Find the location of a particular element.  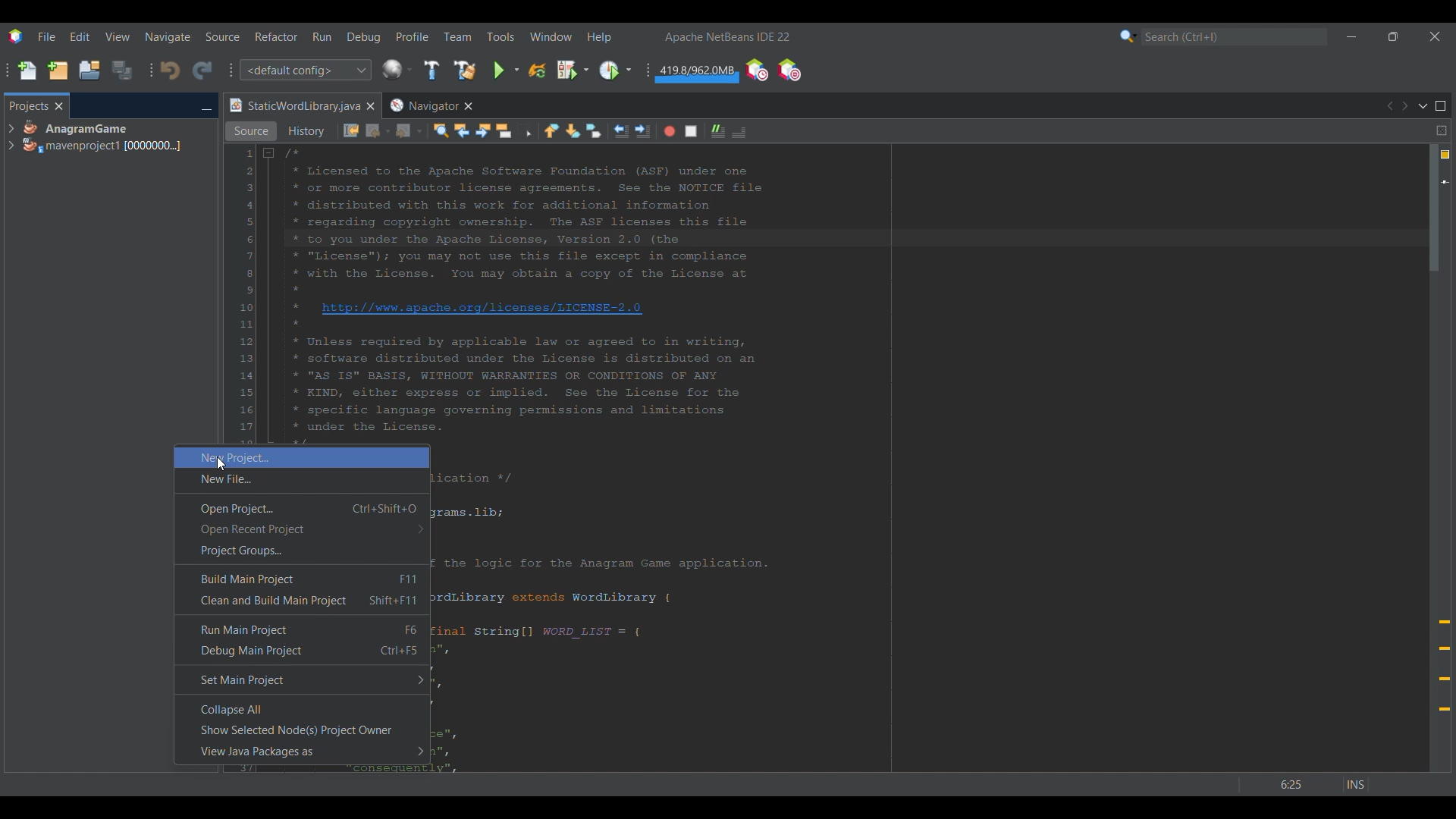

History view is located at coordinates (308, 131).